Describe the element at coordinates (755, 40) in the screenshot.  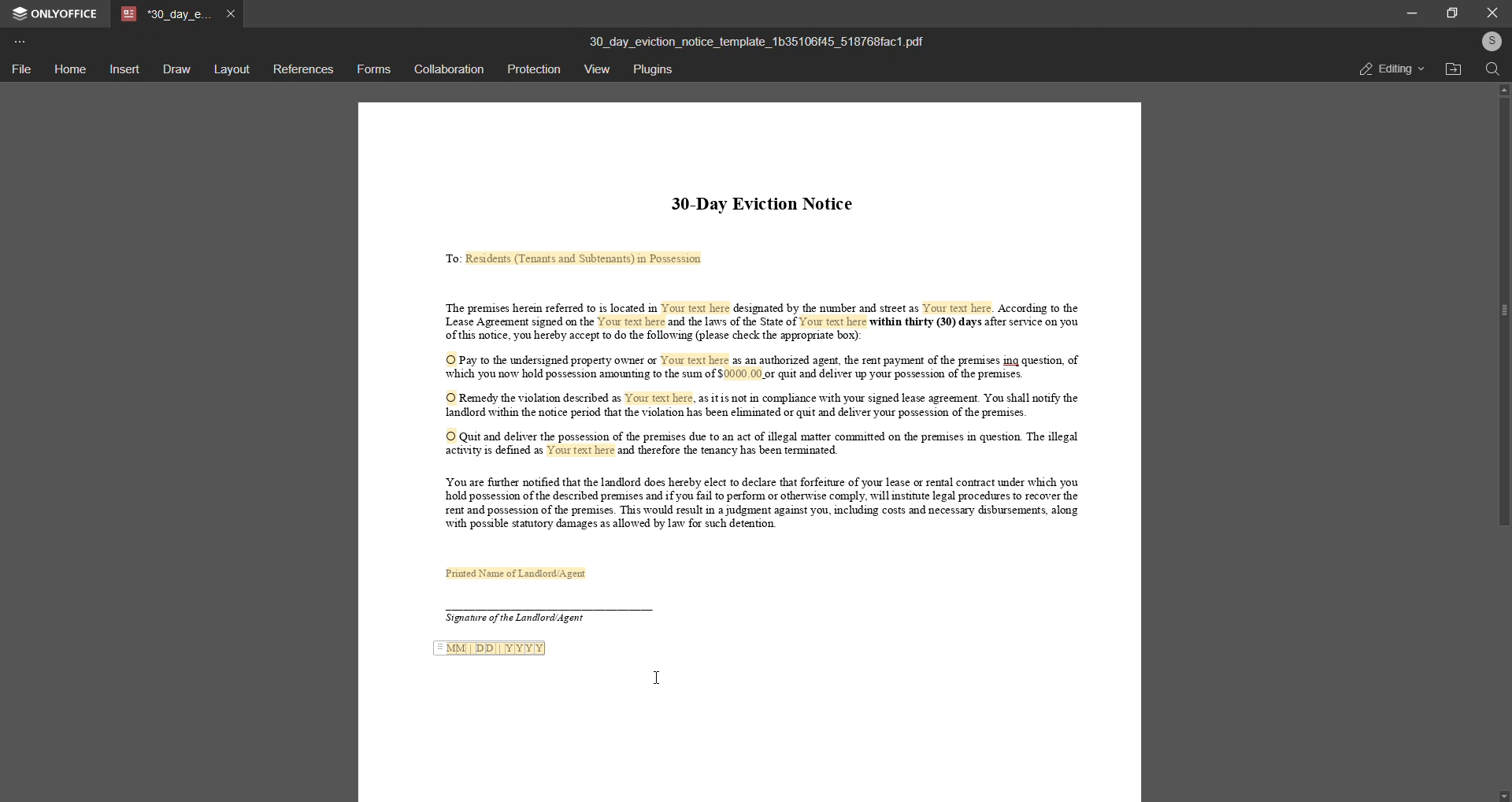
I see `(title)30_day_eviction_notice_template_1b35106f45_518768fac1.pdf` at that location.